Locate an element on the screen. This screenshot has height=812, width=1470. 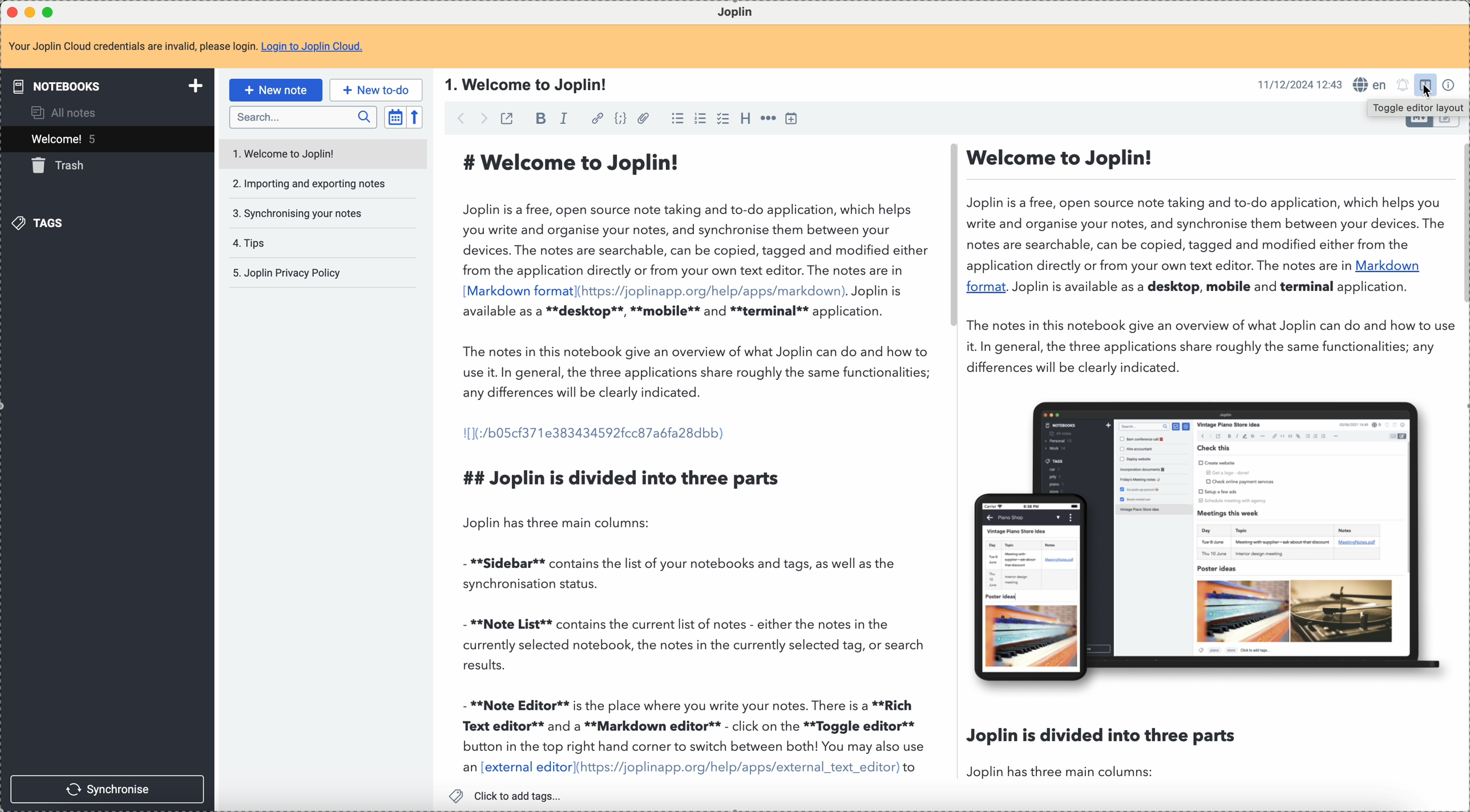
synchronising your notes is located at coordinates (297, 212).